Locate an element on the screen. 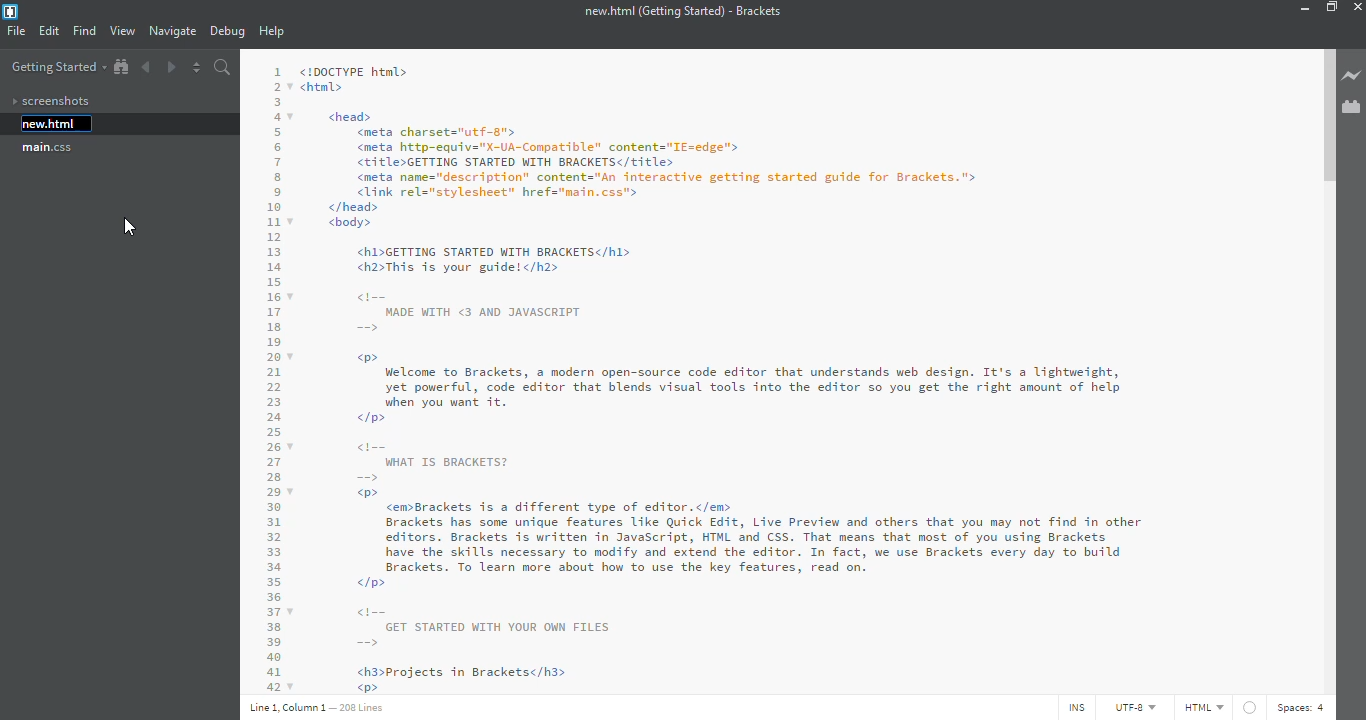  help is located at coordinates (274, 32).